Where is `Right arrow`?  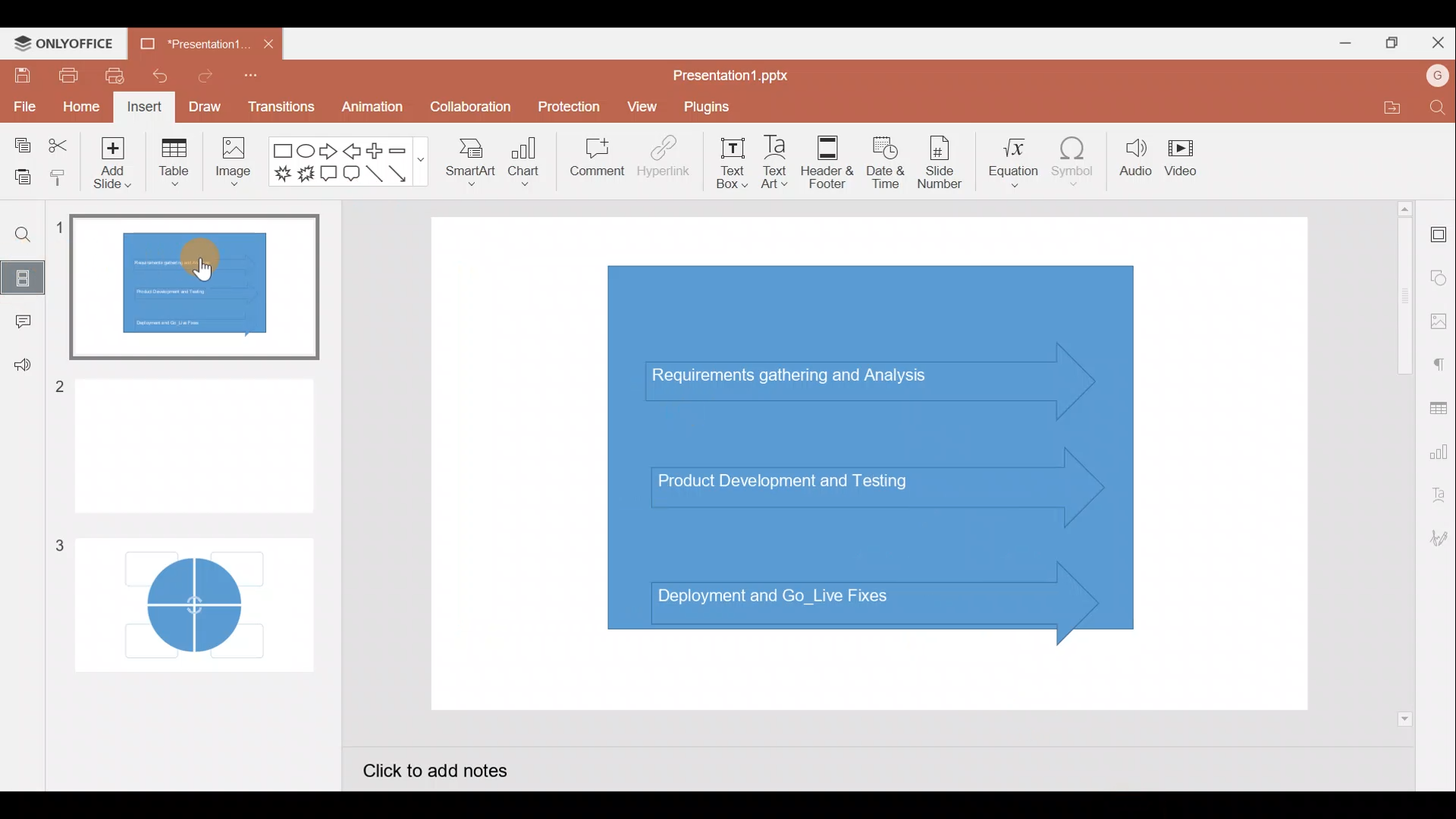 Right arrow is located at coordinates (329, 152).